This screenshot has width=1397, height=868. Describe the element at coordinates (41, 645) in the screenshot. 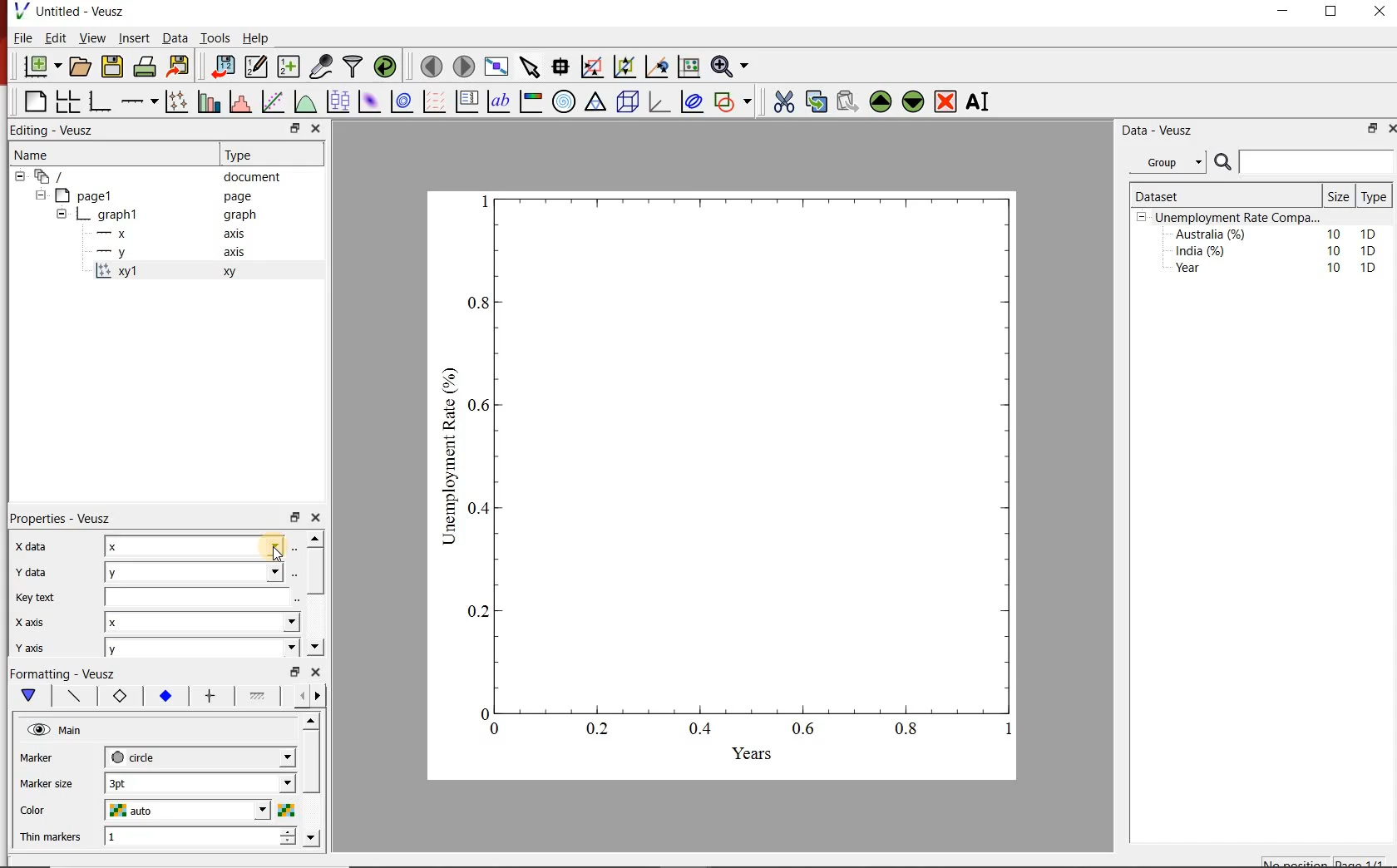

I see `y axis` at that location.